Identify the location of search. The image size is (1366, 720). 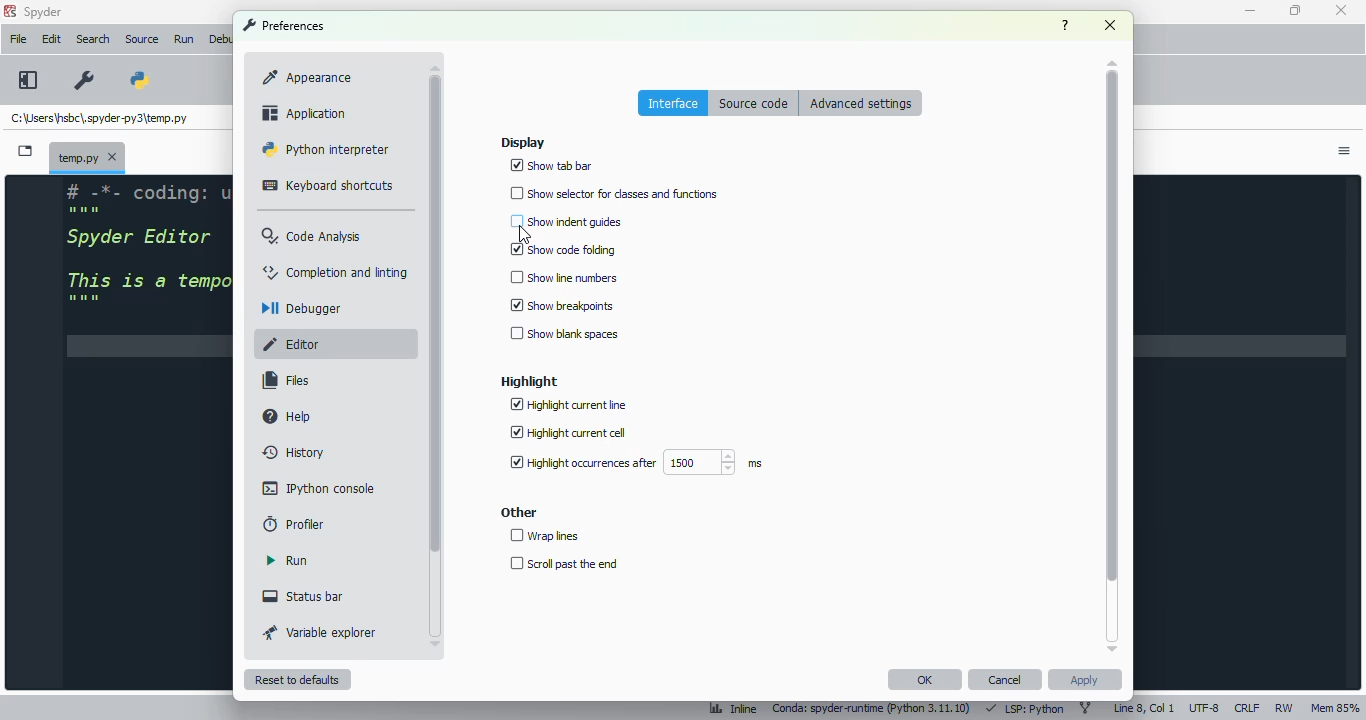
(93, 39).